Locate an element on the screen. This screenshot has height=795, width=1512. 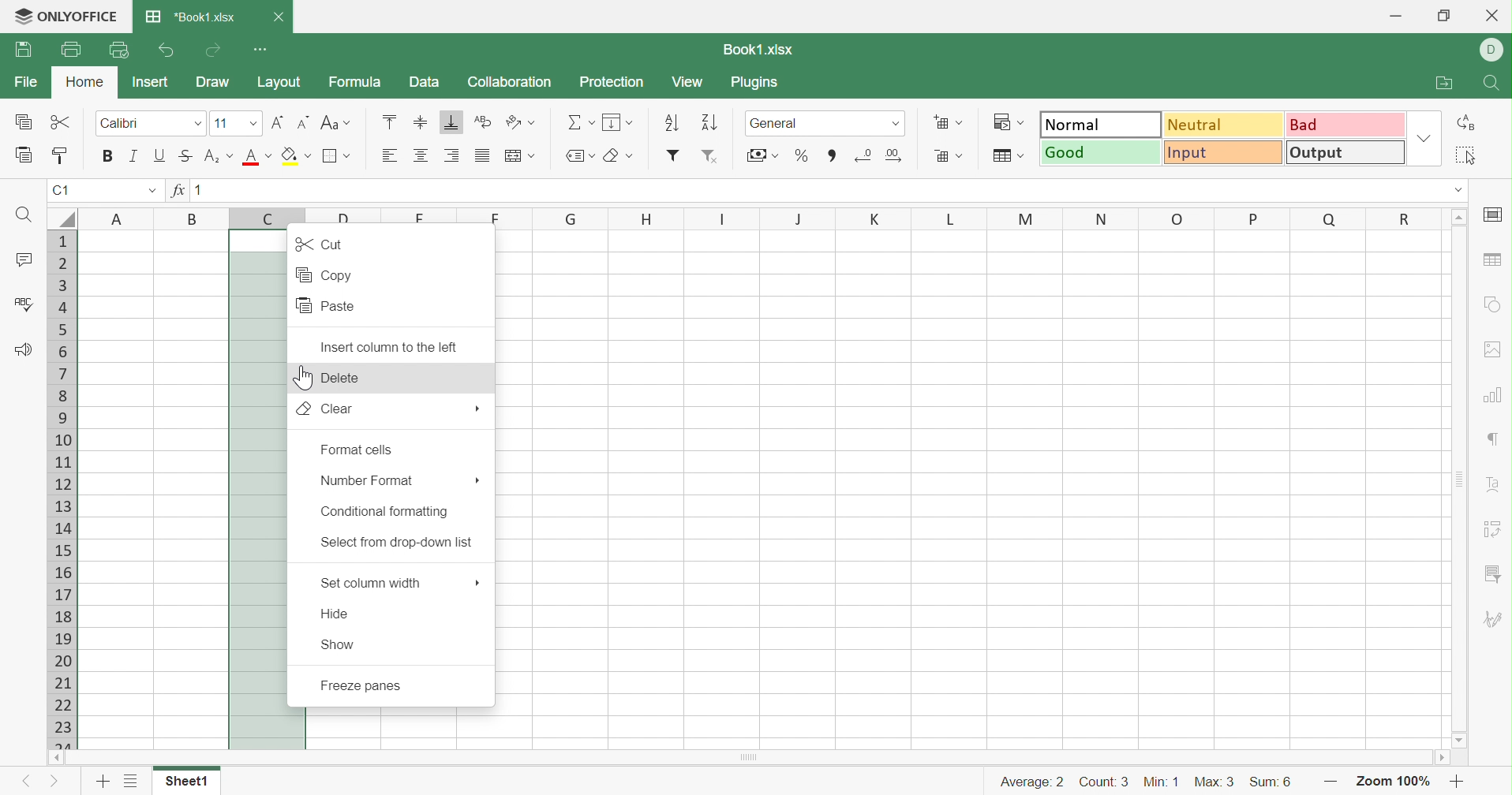
Drop Down is located at coordinates (1427, 137).